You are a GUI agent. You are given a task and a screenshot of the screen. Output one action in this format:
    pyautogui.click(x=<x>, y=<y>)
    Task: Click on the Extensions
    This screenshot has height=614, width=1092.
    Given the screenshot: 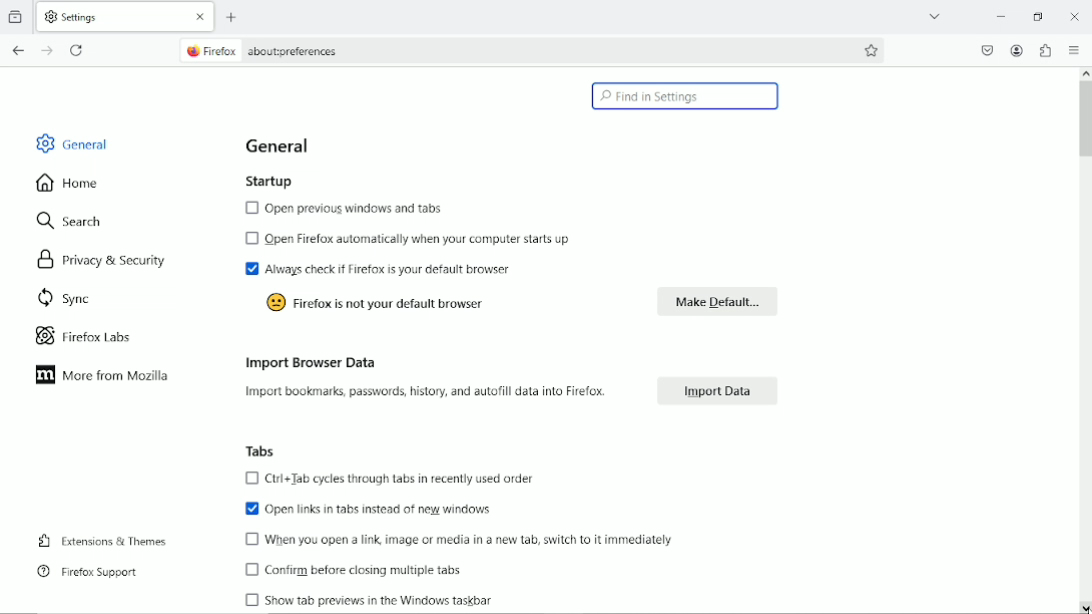 What is the action you would take?
    pyautogui.click(x=1044, y=50)
    